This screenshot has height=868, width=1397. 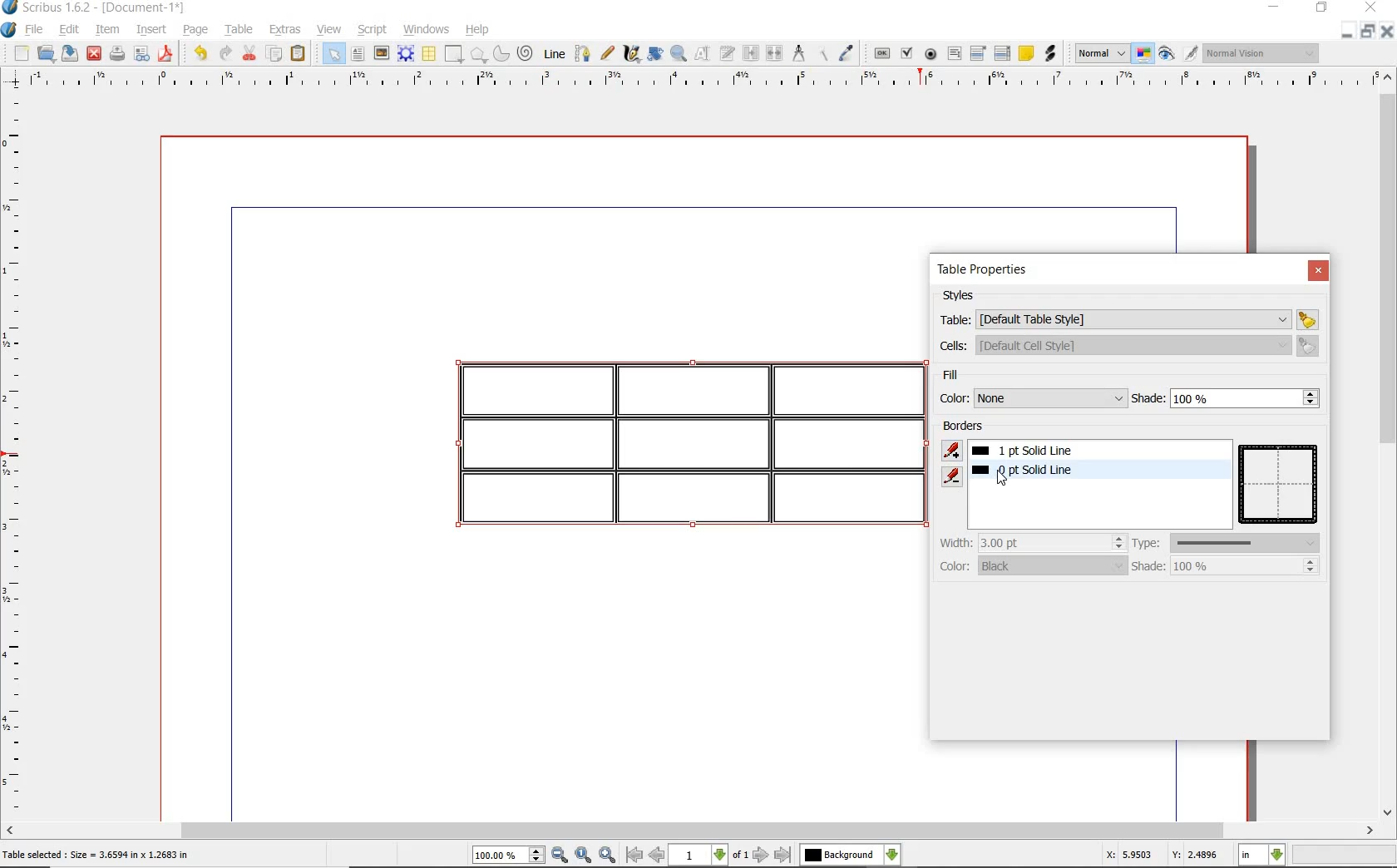 What do you see at coordinates (709, 855) in the screenshot?
I see `select current page` at bounding box center [709, 855].